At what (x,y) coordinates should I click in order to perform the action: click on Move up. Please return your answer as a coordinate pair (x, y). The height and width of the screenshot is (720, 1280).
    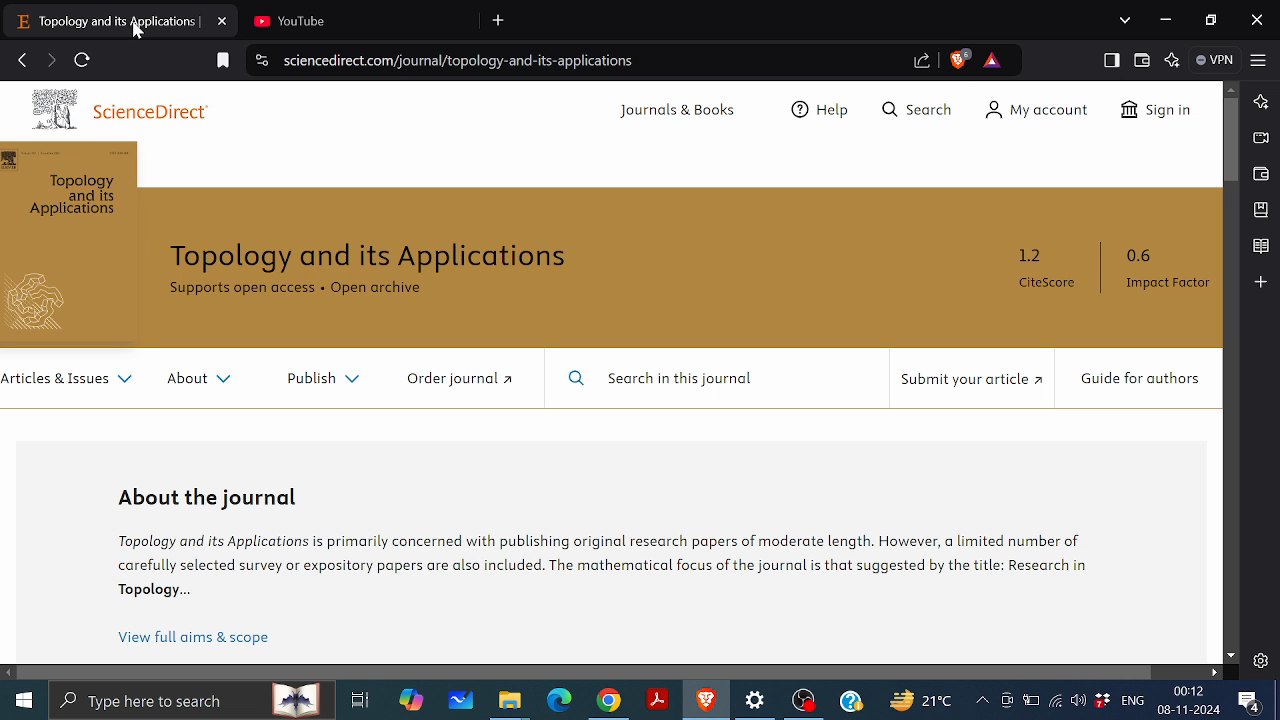
    Looking at the image, I should click on (1231, 88).